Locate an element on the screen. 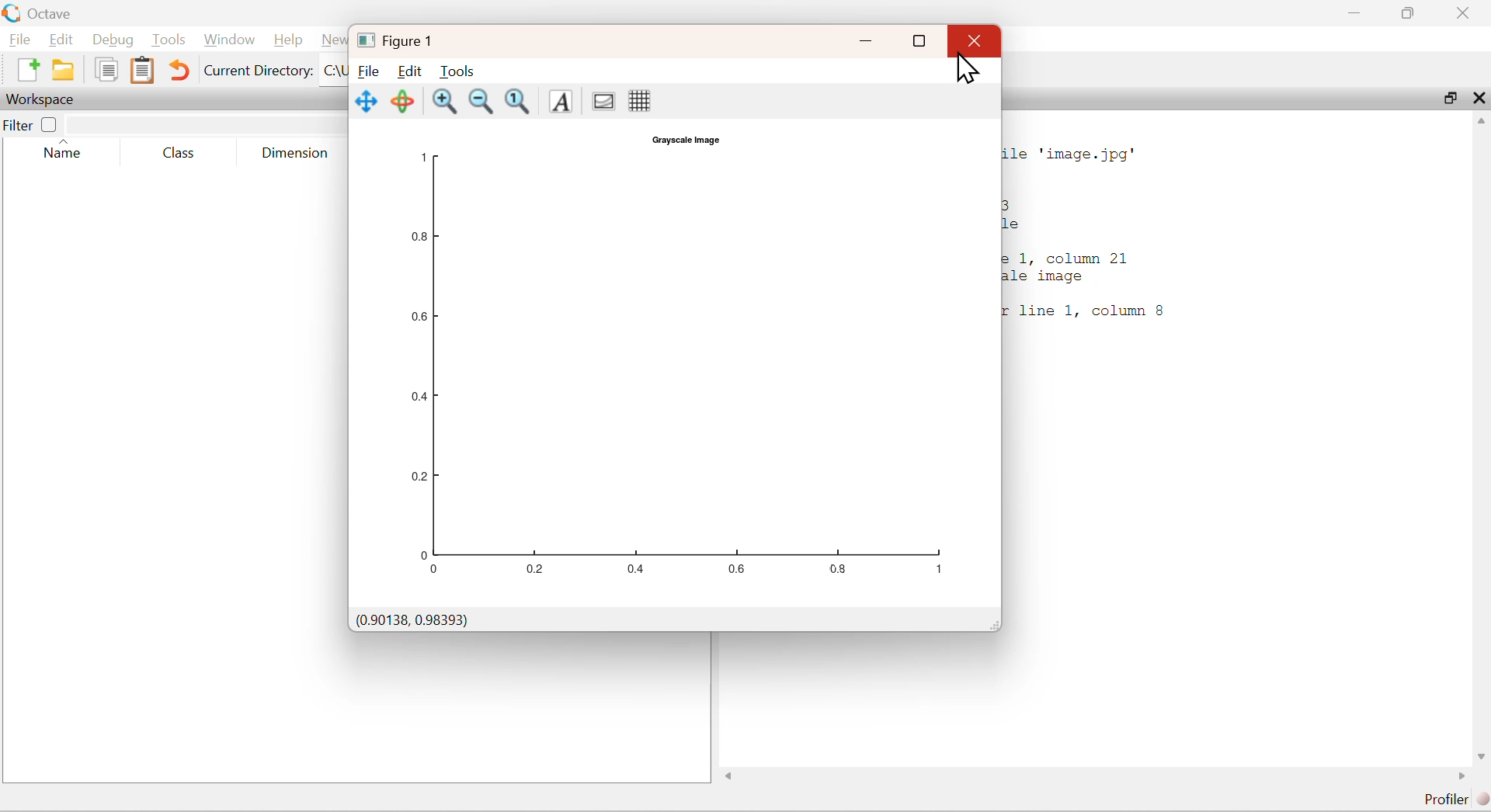  Debug is located at coordinates (114, 42).